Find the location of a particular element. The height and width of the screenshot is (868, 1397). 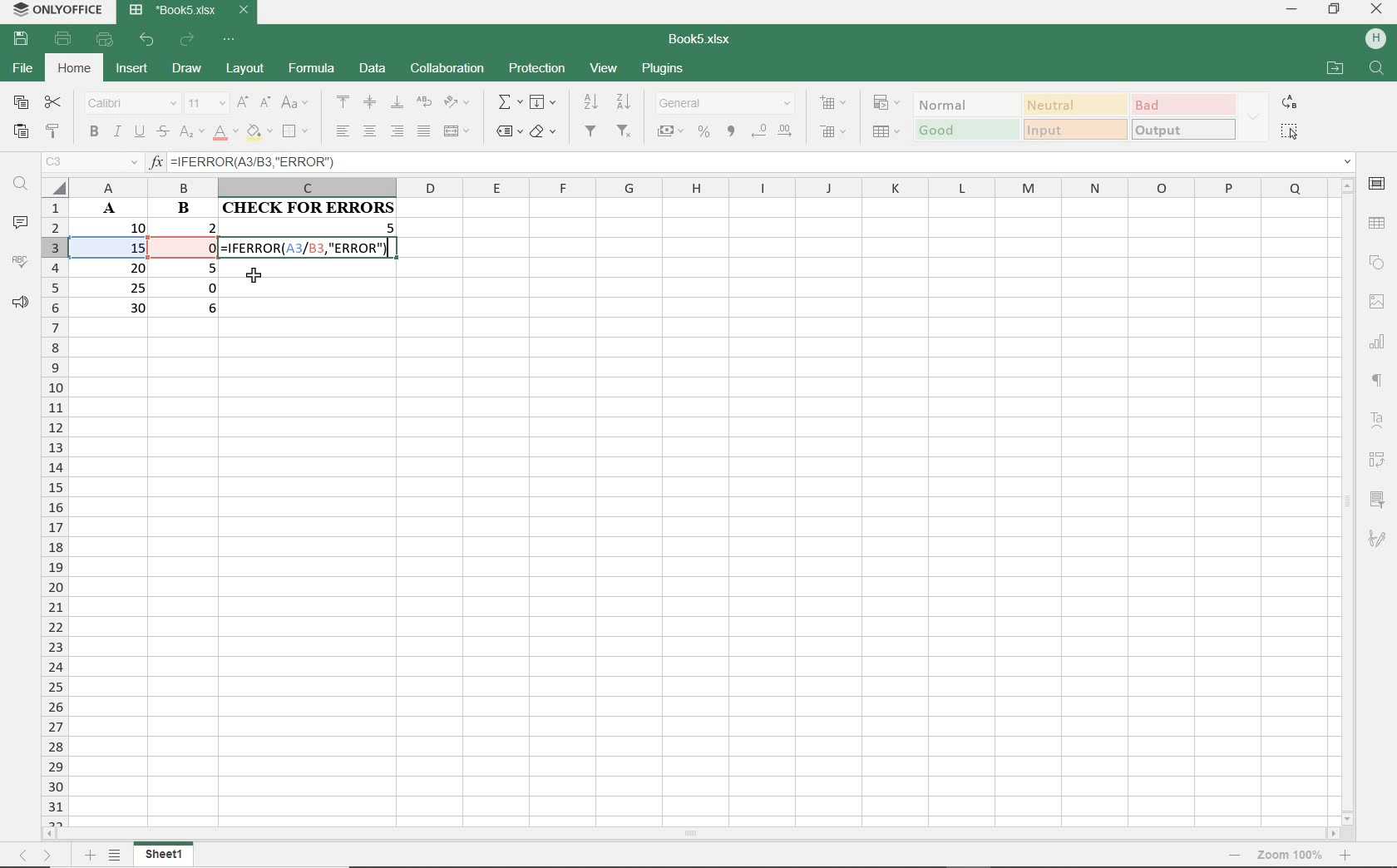

ALIGN RIGHT is located at coordinates (397, 132).